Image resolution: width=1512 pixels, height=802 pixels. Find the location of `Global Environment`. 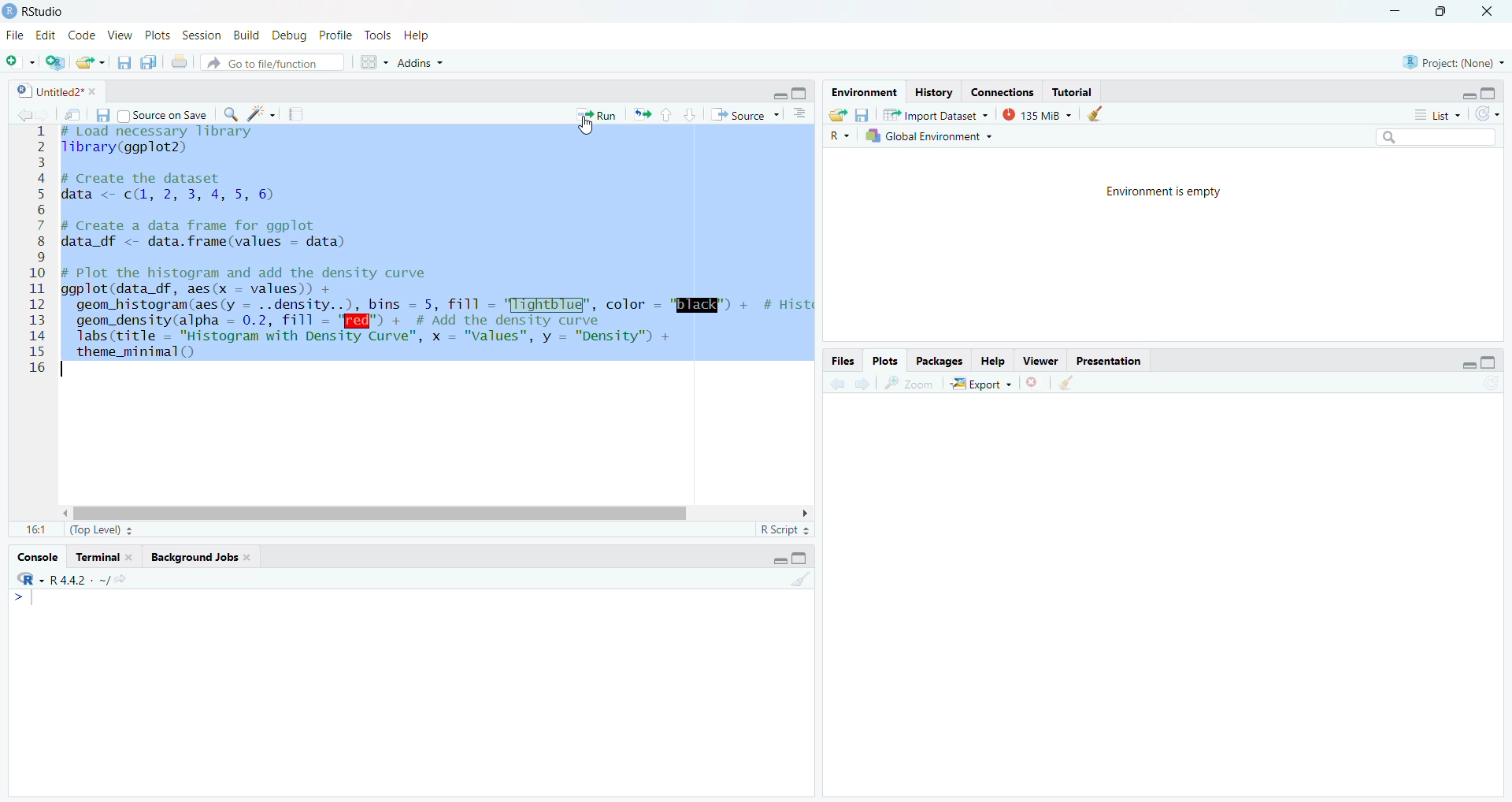

Global Environment is located at coordinates (929, 136).